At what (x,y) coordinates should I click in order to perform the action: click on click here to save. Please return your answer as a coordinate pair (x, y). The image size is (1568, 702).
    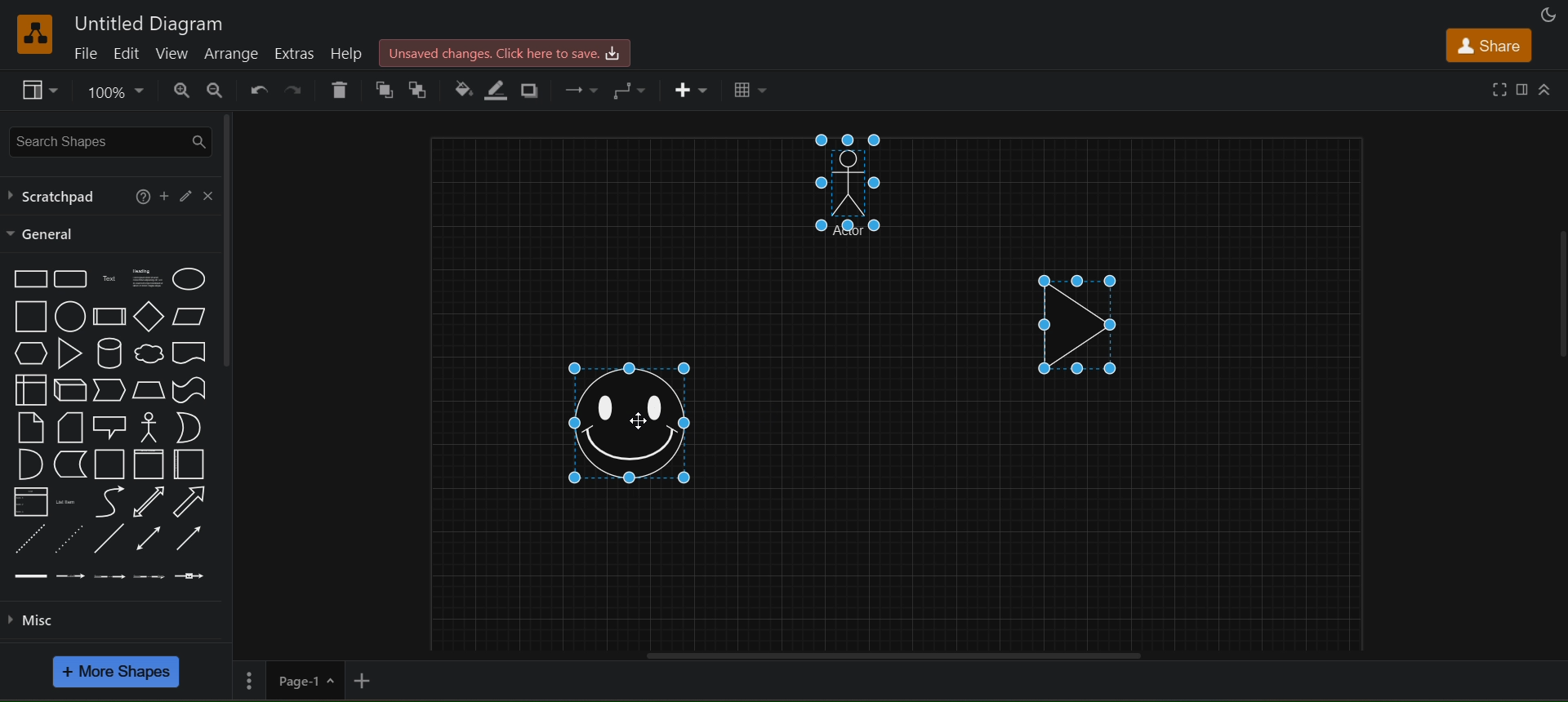
    Looking at the image, I should click on (502, 53).